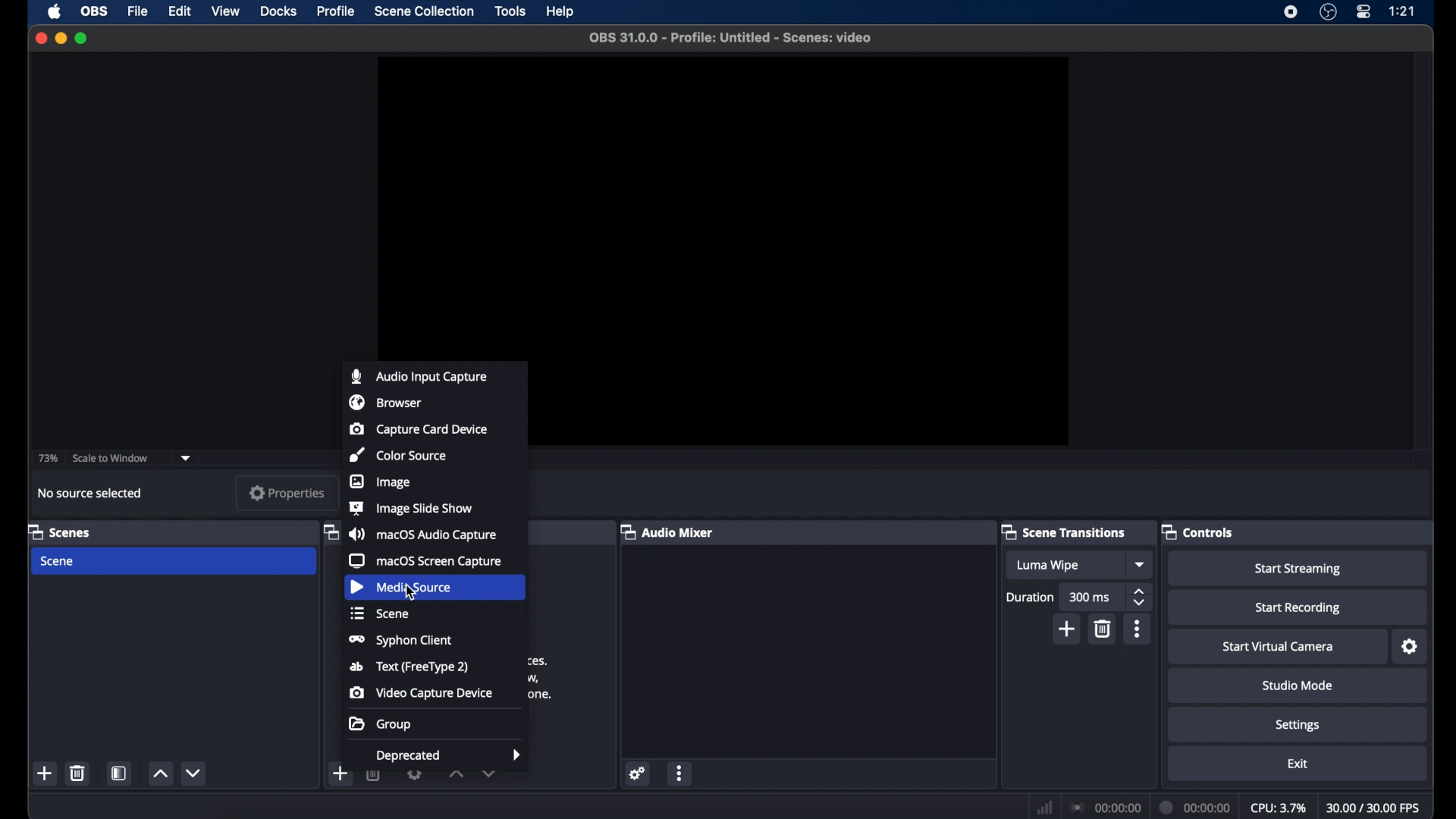  What do you see at coordinates (1064, 532) in the screenshot?
I see `scene transitions` at bounding box center [1064, 532].